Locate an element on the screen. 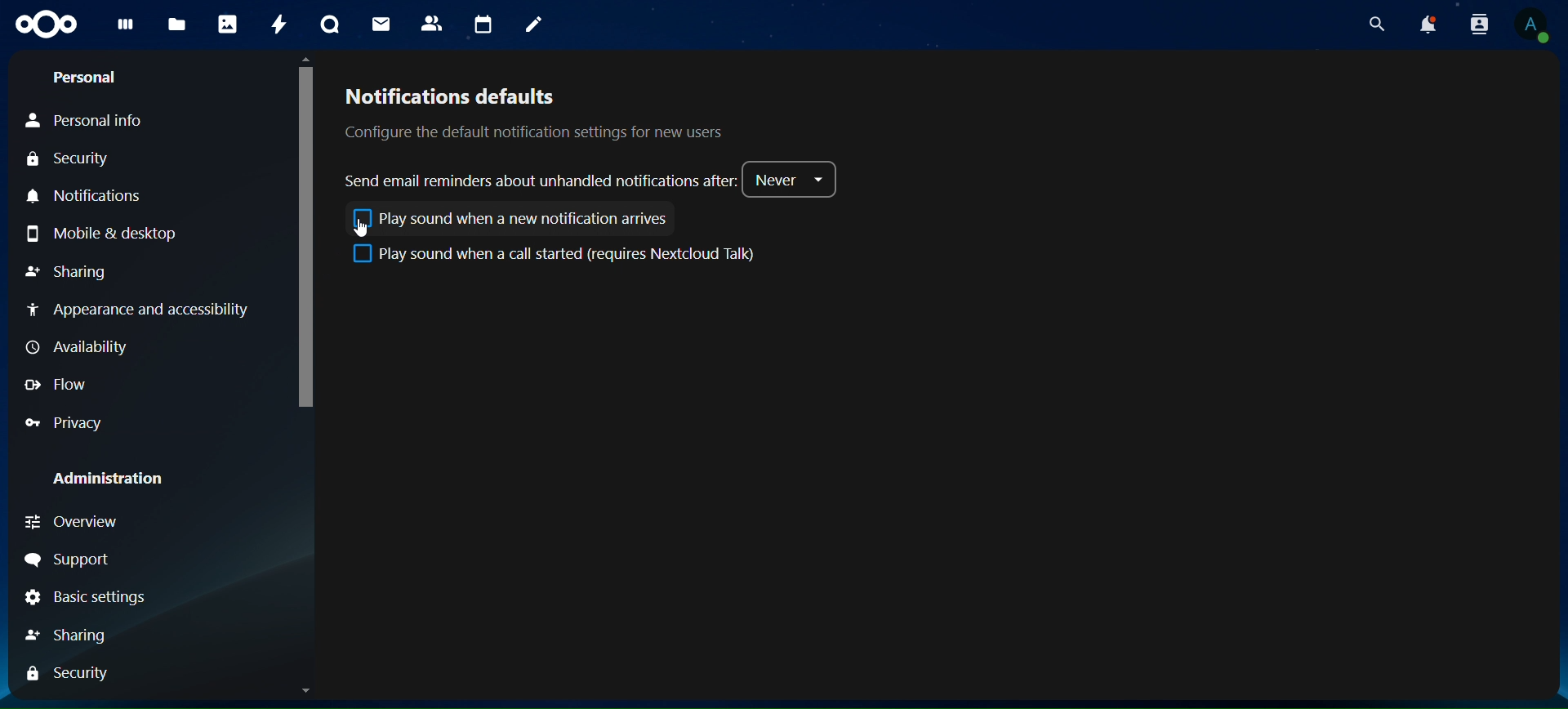 This screenshot has width=1568, height=709. calendar is located at coordinates (481, 24).